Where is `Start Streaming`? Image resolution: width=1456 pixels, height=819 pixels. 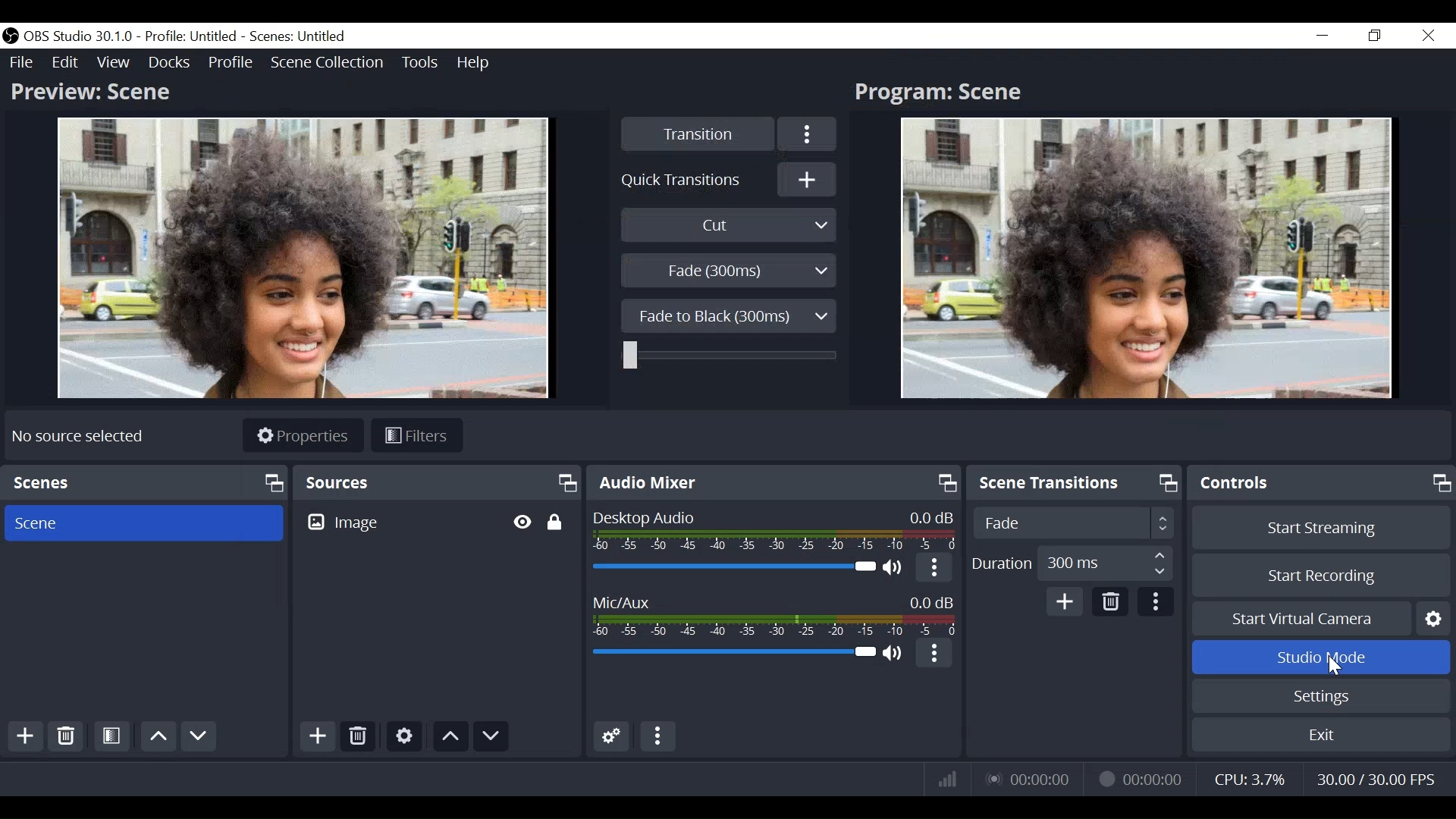 Start Streaming is located at coordinates (1319, 529).